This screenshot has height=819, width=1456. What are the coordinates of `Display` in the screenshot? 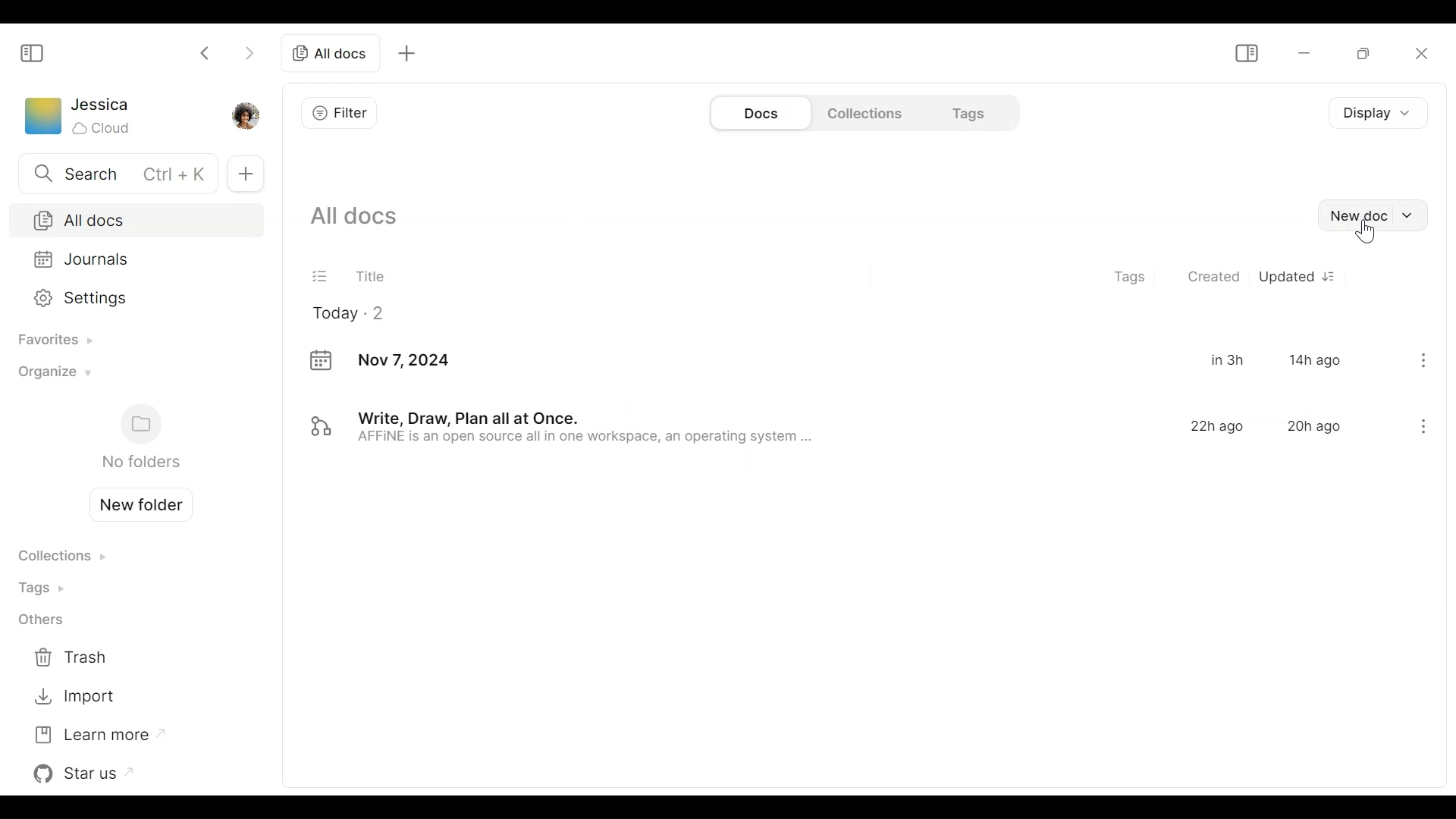 It's located at (1373, 113).